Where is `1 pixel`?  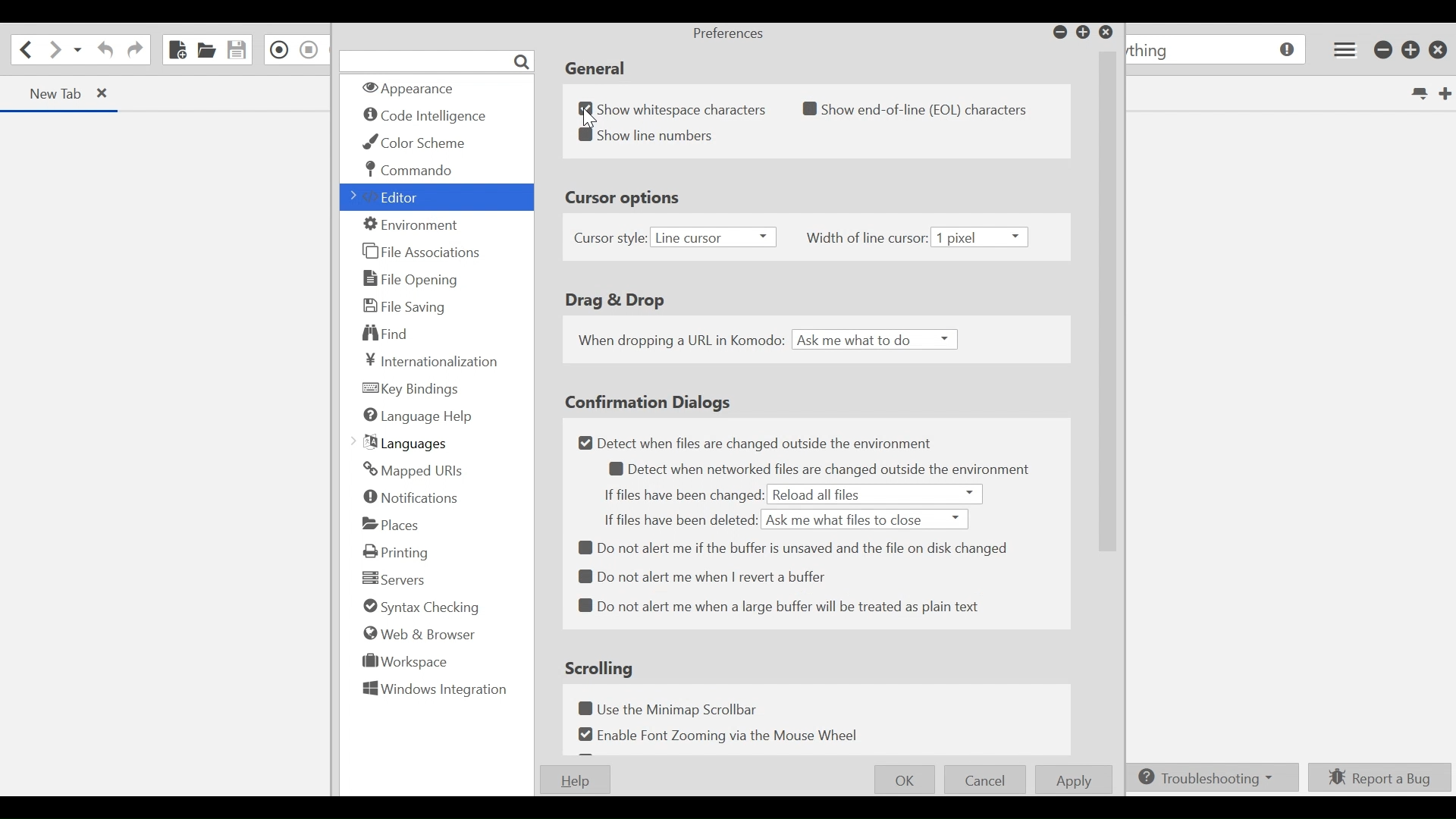
1 pixel is located at coordinates (984, 237).